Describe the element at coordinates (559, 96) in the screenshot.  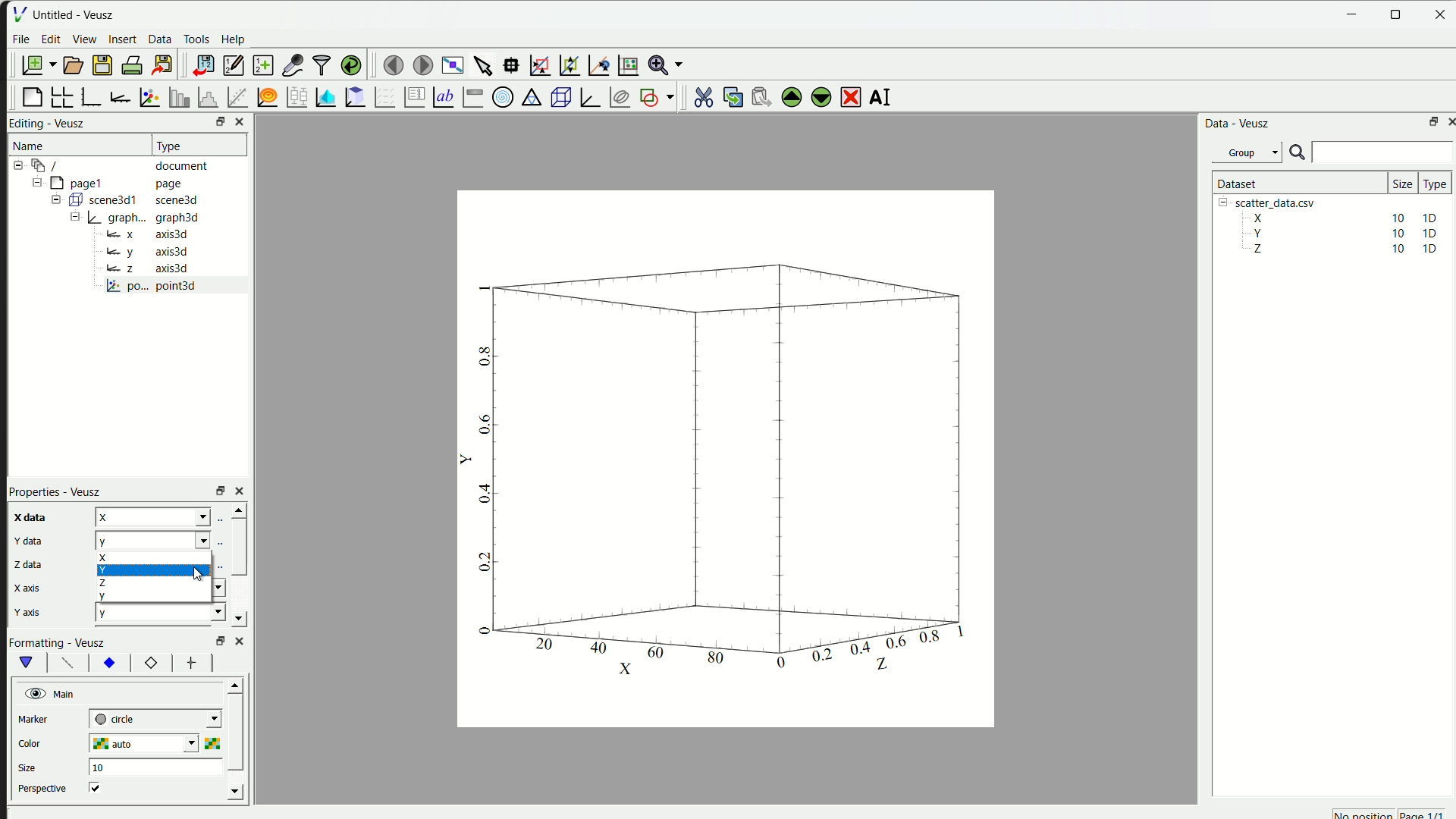
I see `3D scene` at that location.